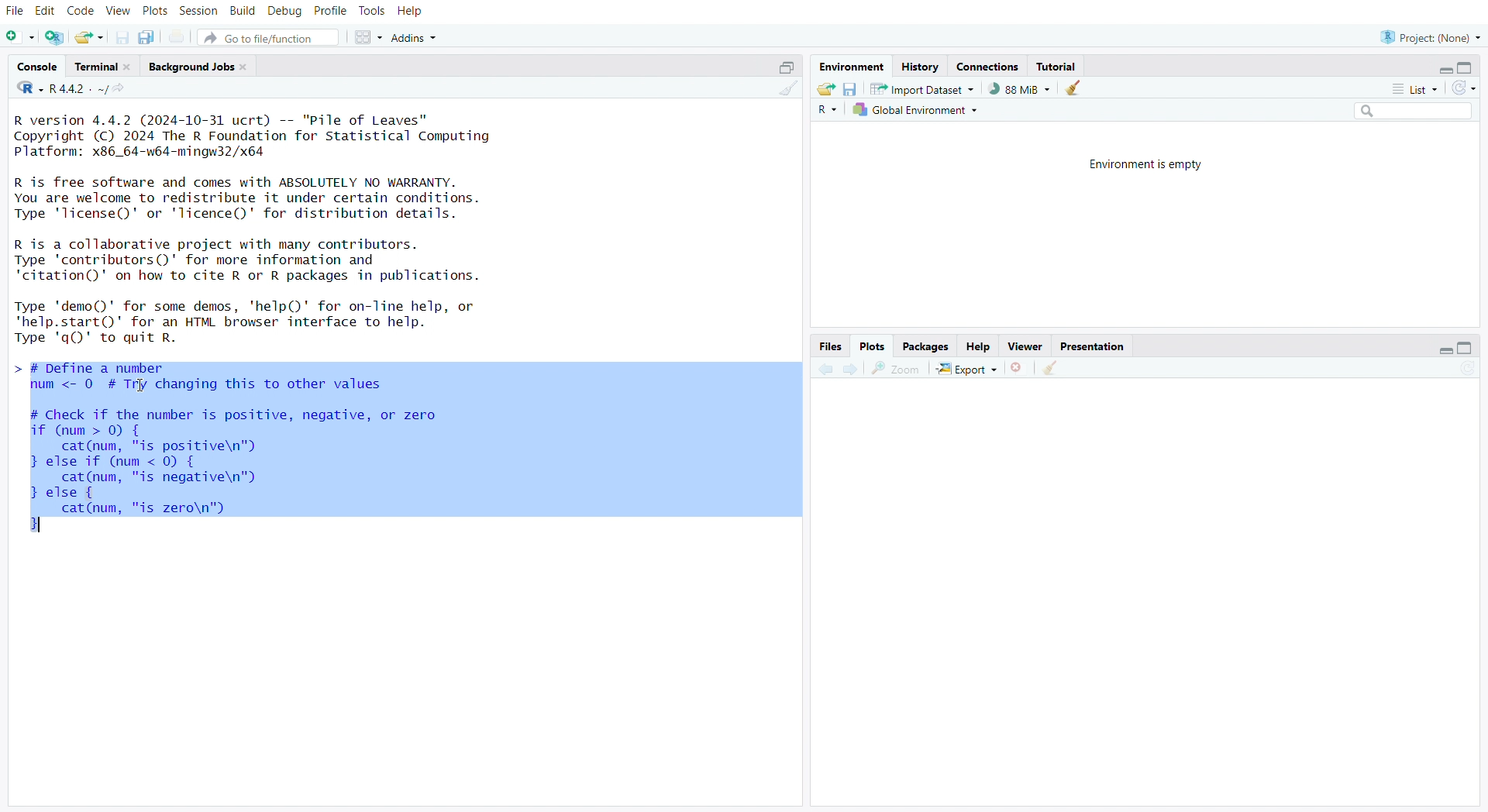 This screenshot has height=812, width=1488. I want to click on load workspace, so click(825, 90).